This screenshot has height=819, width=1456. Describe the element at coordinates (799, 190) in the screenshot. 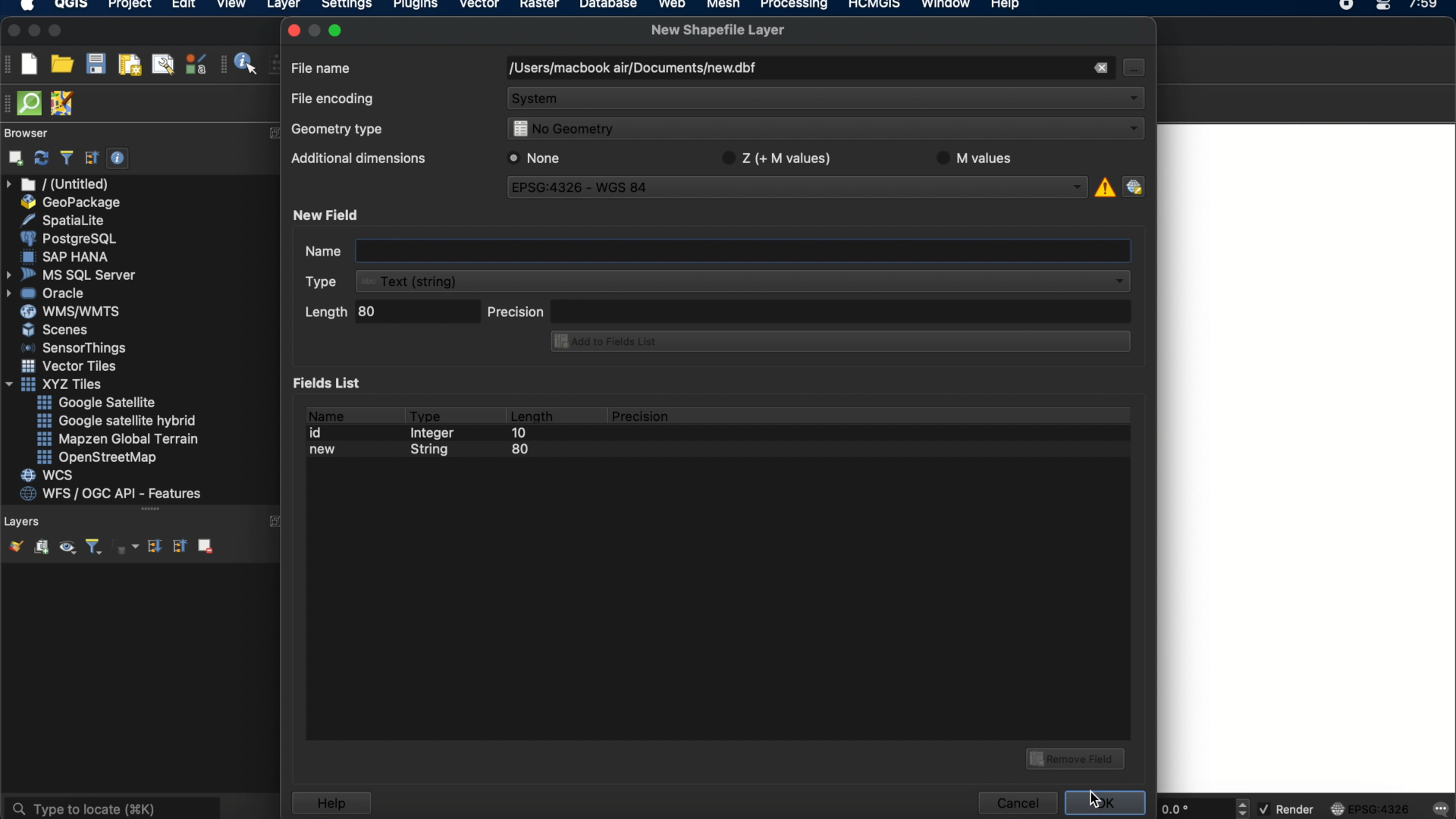

I see `EPSG:4326 - WGS 84` at that location.